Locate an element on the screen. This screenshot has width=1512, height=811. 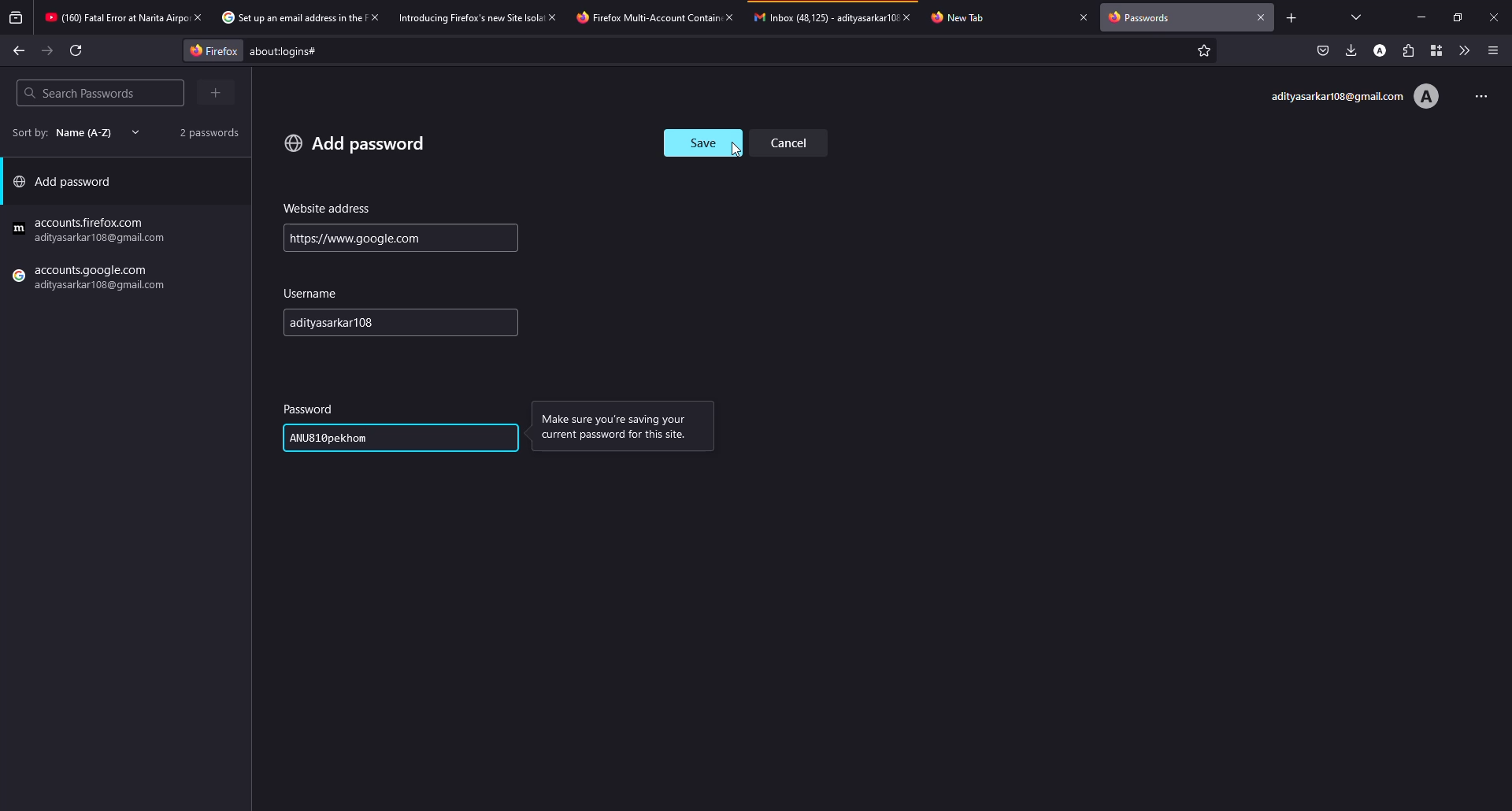
tab is located at coordinates (644, 17).